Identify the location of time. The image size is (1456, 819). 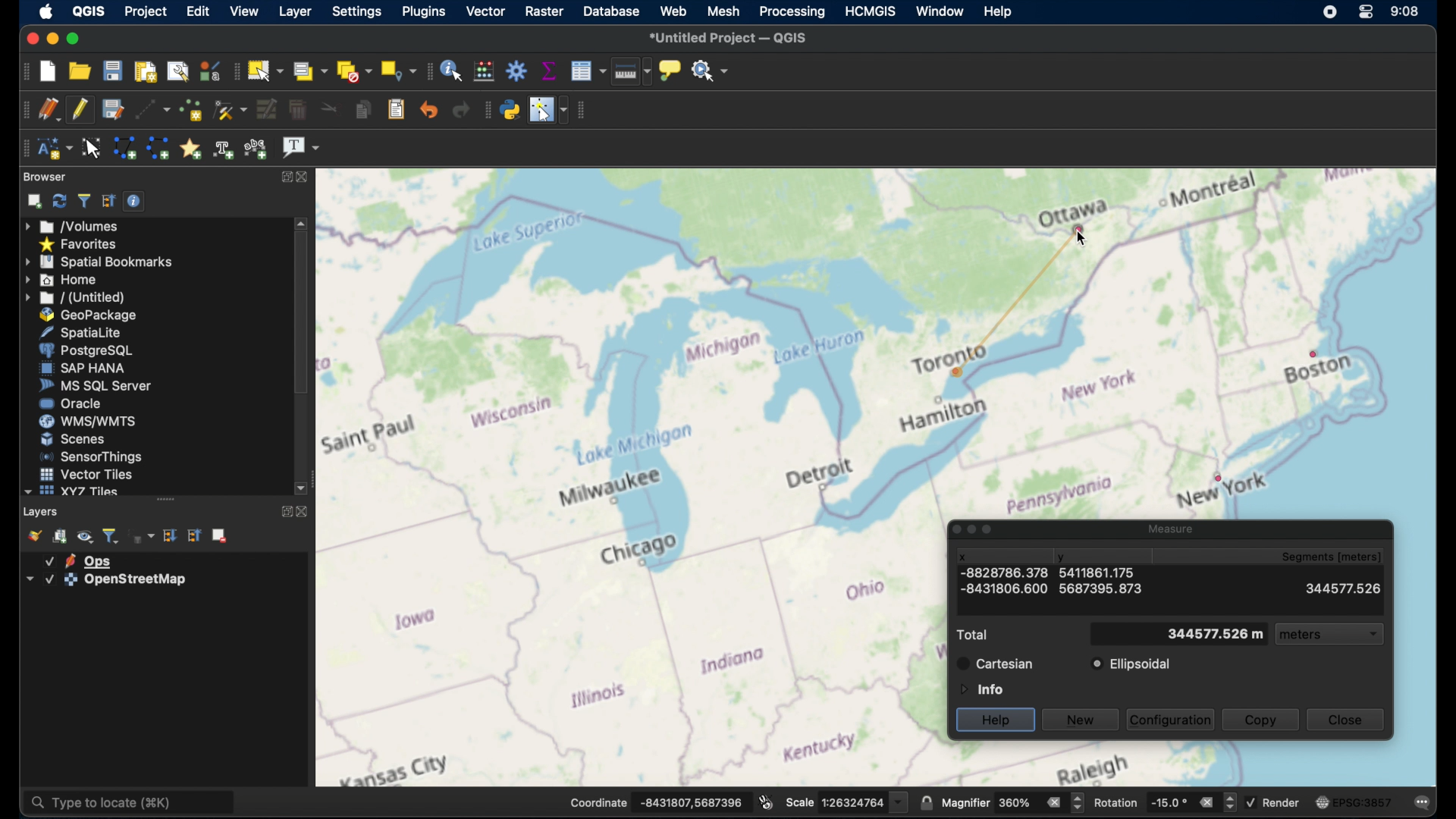
(1405, 11).